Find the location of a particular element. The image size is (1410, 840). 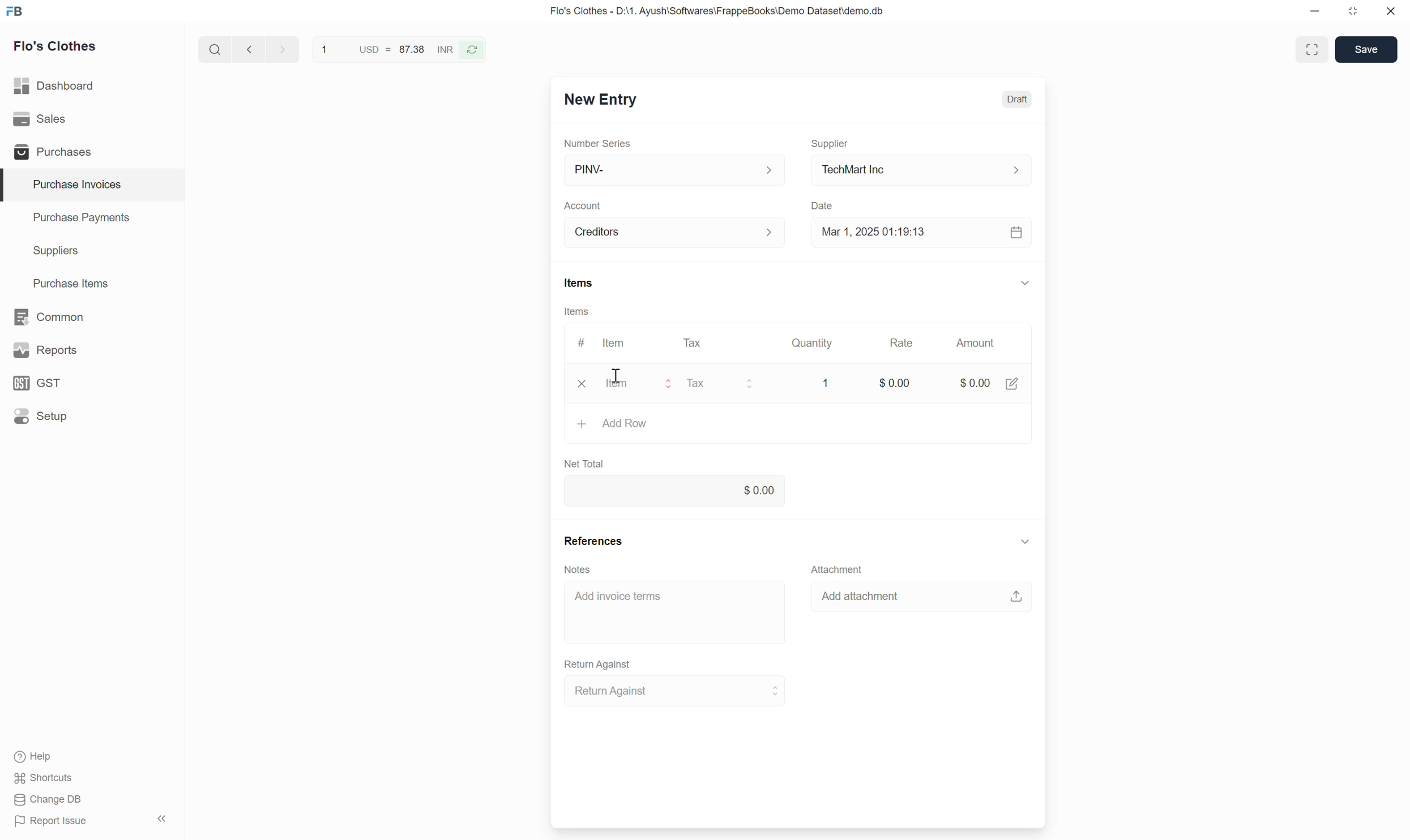

Flo's Clothes - D:\1. Ayush\Softwares\FrappeBooks\Demo Dataset\demo.db is located at coordinates (716, 11).